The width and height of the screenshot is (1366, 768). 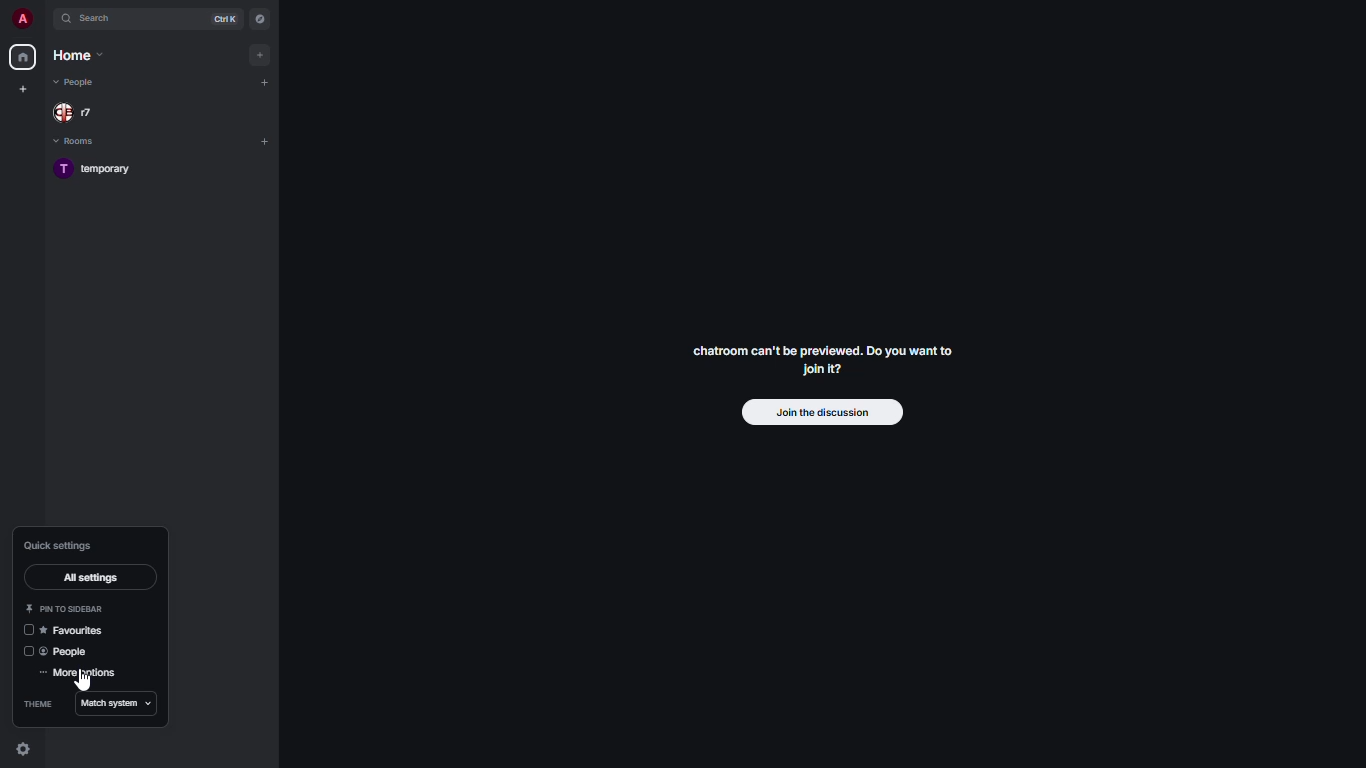 What do you see at coordinates (21, 18) in the screenshot?
I see `profile` at bounding box center [21, 18].